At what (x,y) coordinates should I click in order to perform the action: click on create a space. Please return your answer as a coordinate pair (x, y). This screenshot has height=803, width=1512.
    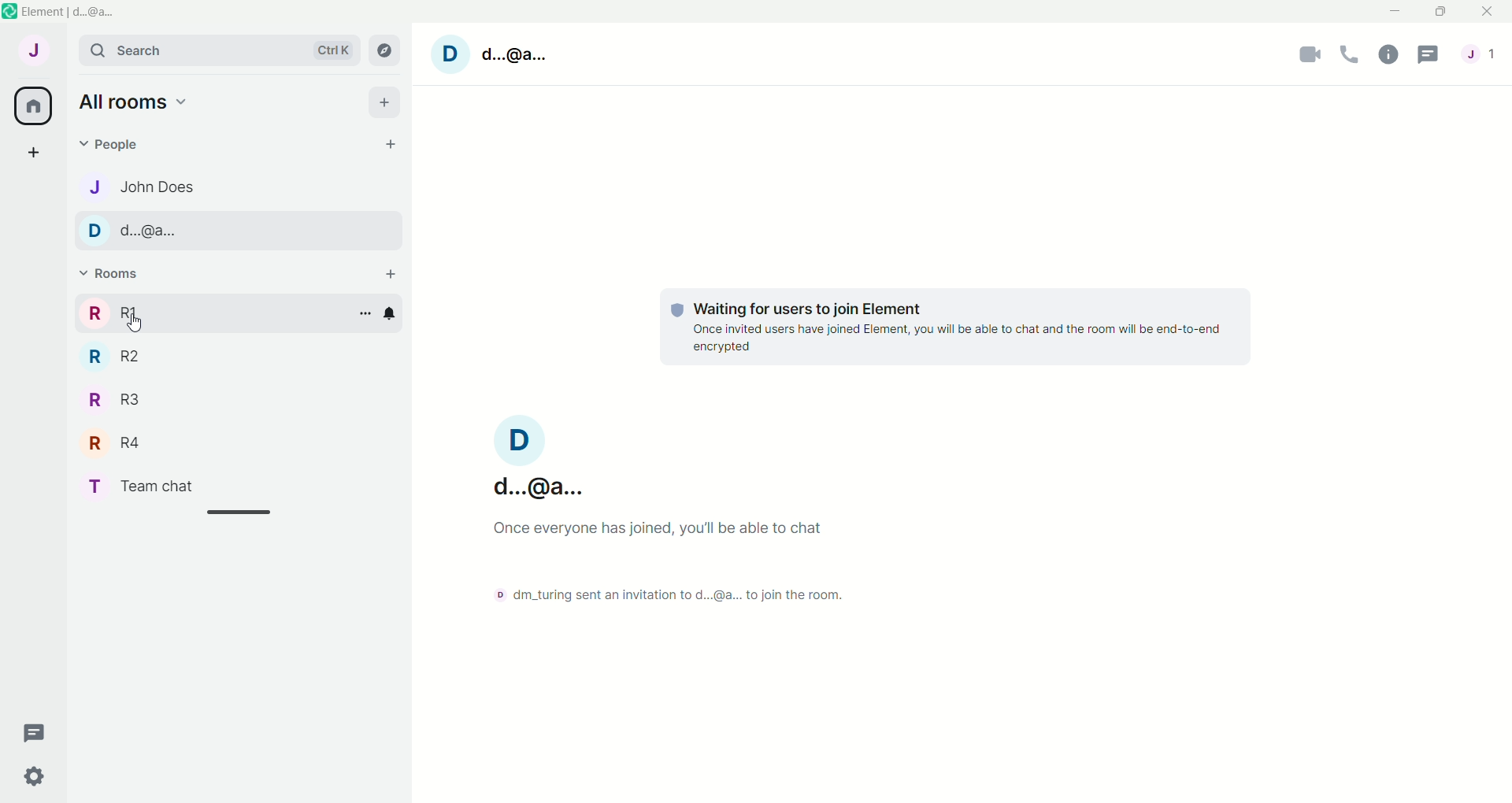
    Looking at the image, I should click on (39, 154).